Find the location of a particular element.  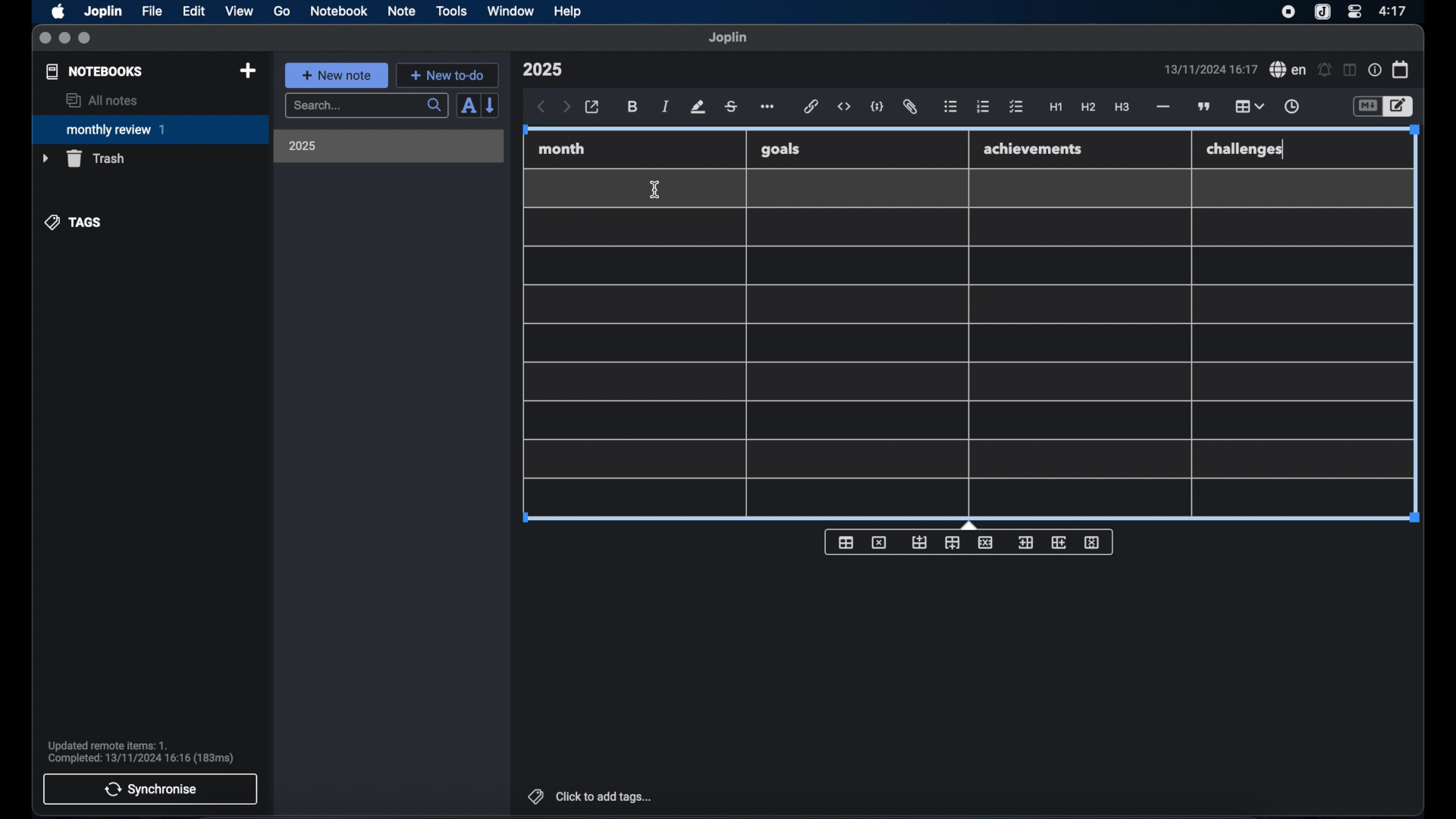

Joplin is located at coordinates (105, 12).